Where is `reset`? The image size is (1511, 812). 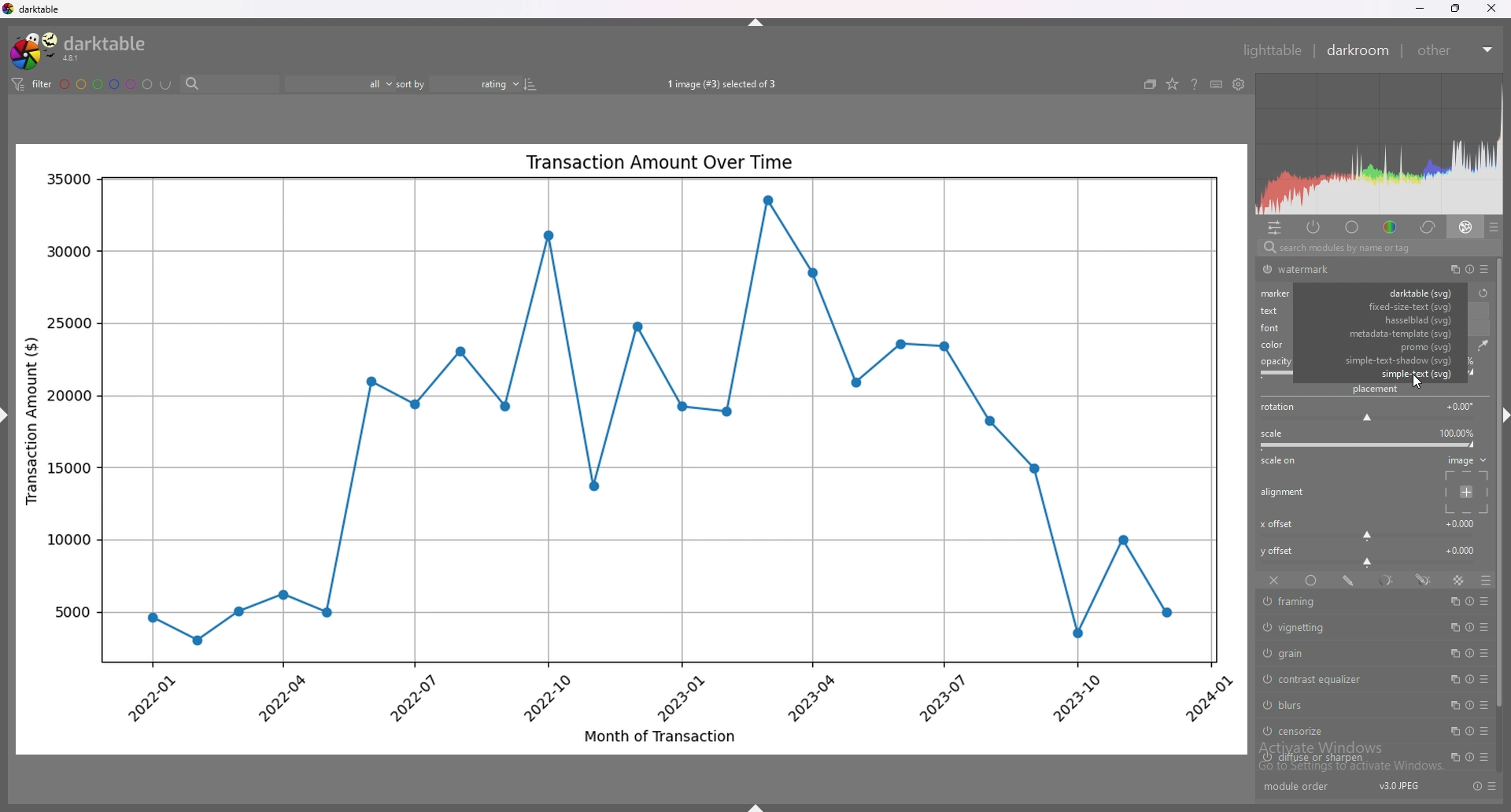 reset is located at coordinates (1466, 756).